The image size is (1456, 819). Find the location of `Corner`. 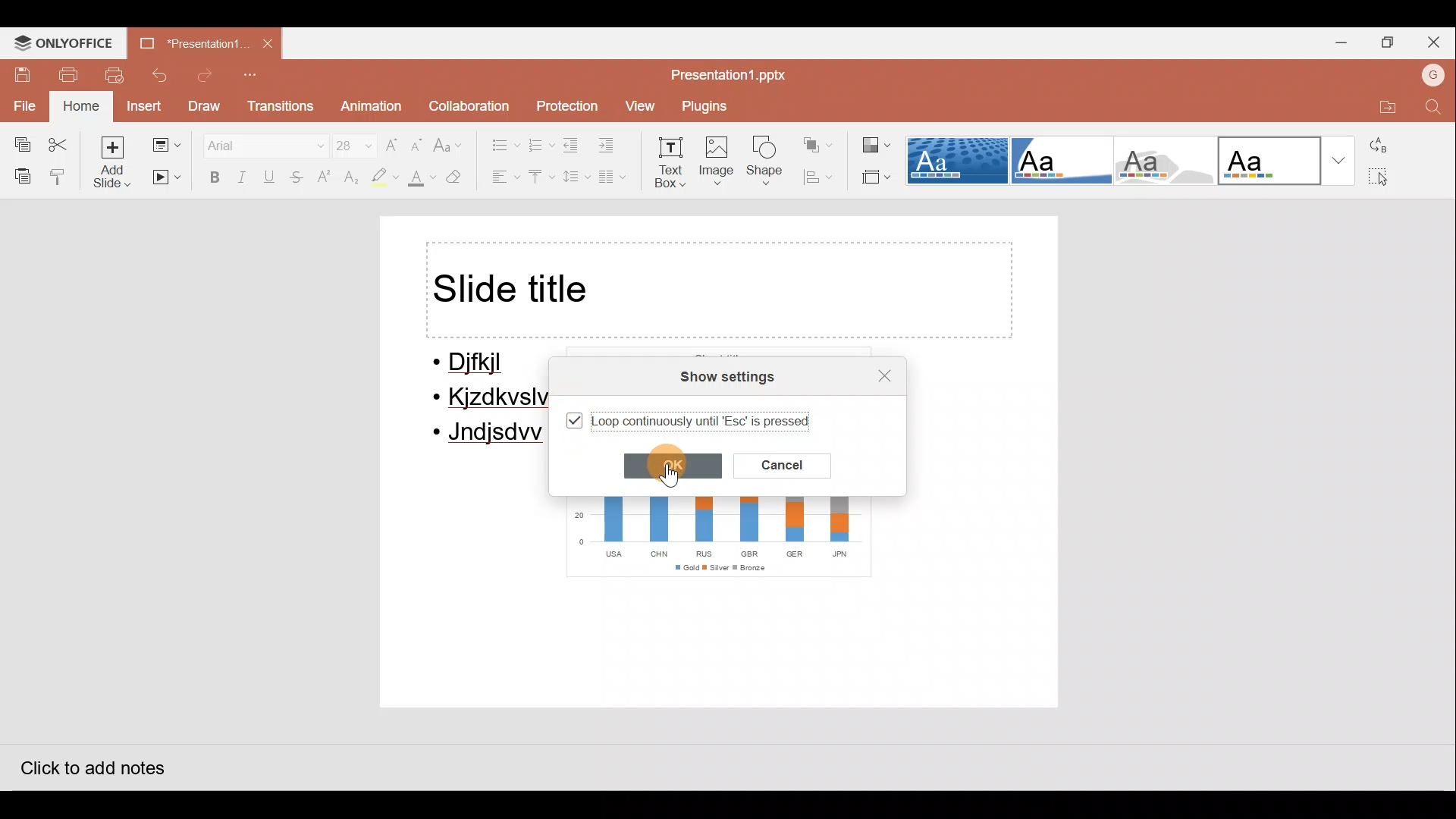

Corner is located at coordinates (1059, 159).